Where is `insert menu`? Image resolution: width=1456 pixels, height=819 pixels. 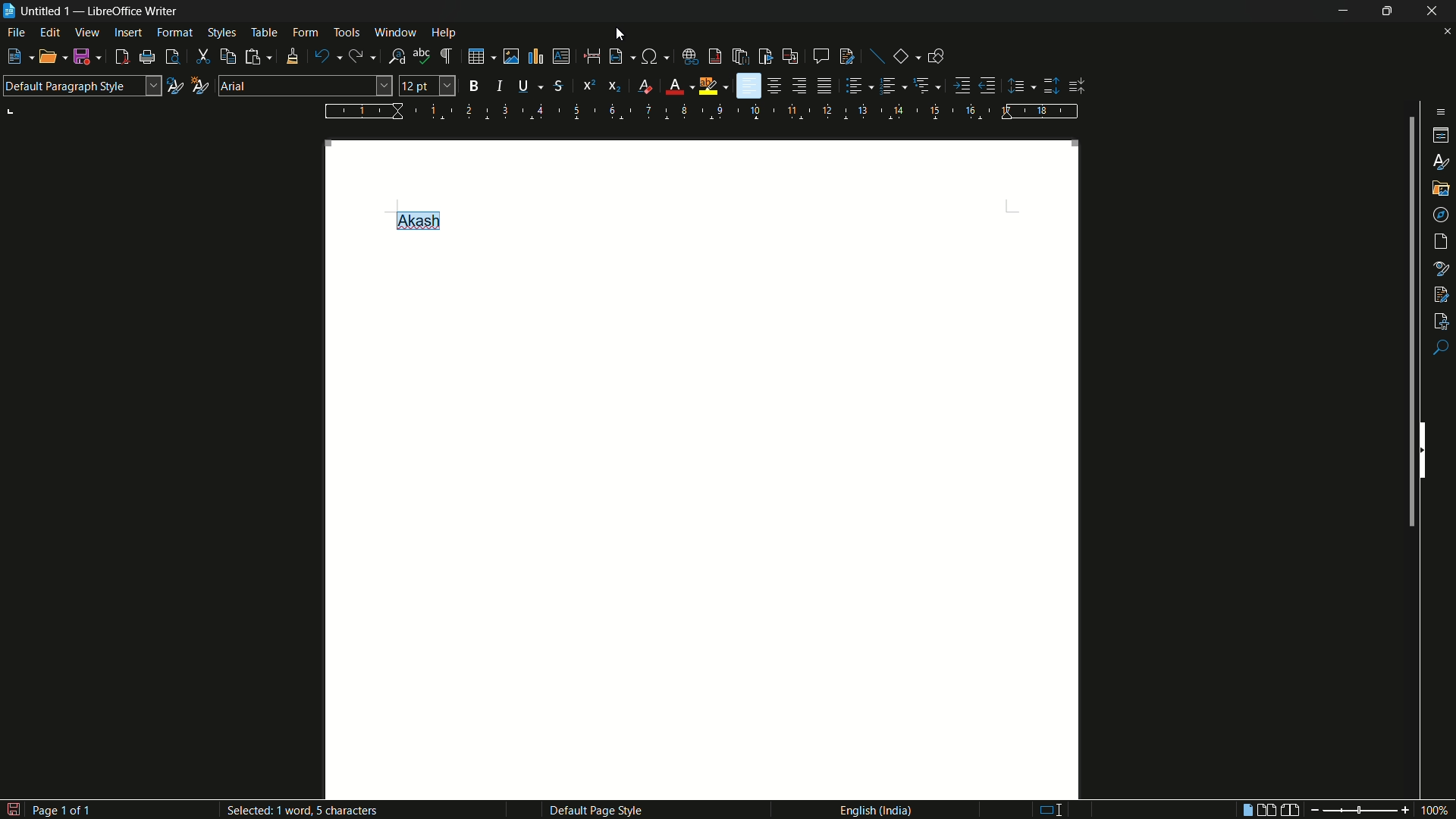 insert menu is located at coordinates (128, 32).